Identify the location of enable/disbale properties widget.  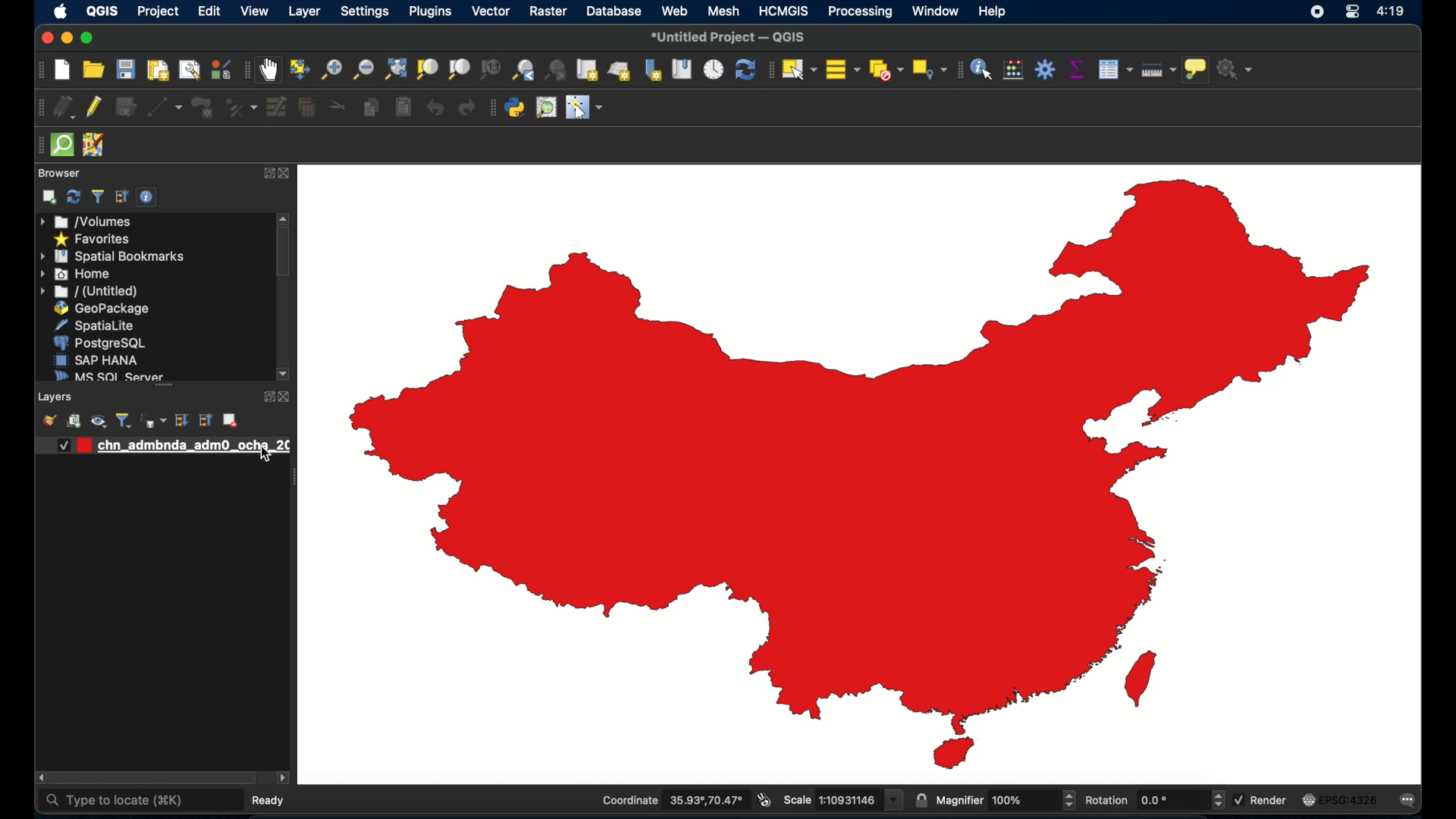
(149, 197).